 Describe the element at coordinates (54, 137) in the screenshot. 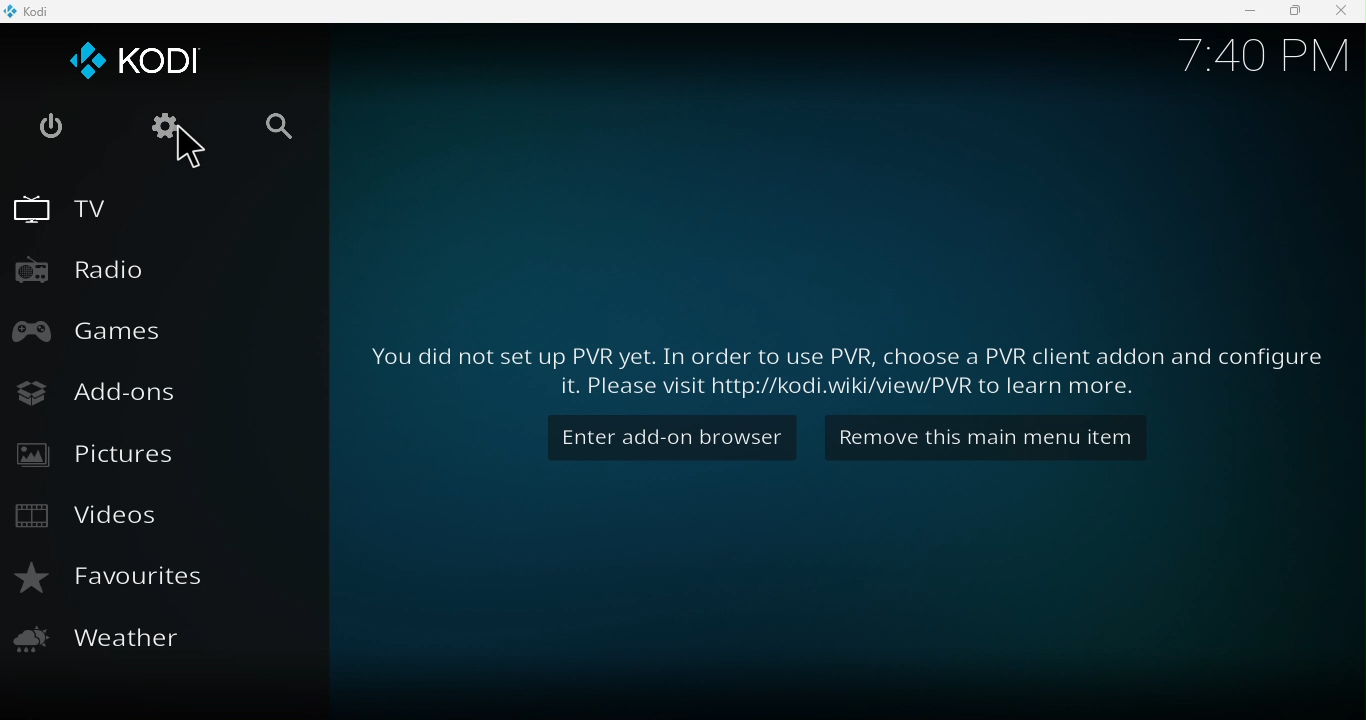

I see `Exit` at that location.